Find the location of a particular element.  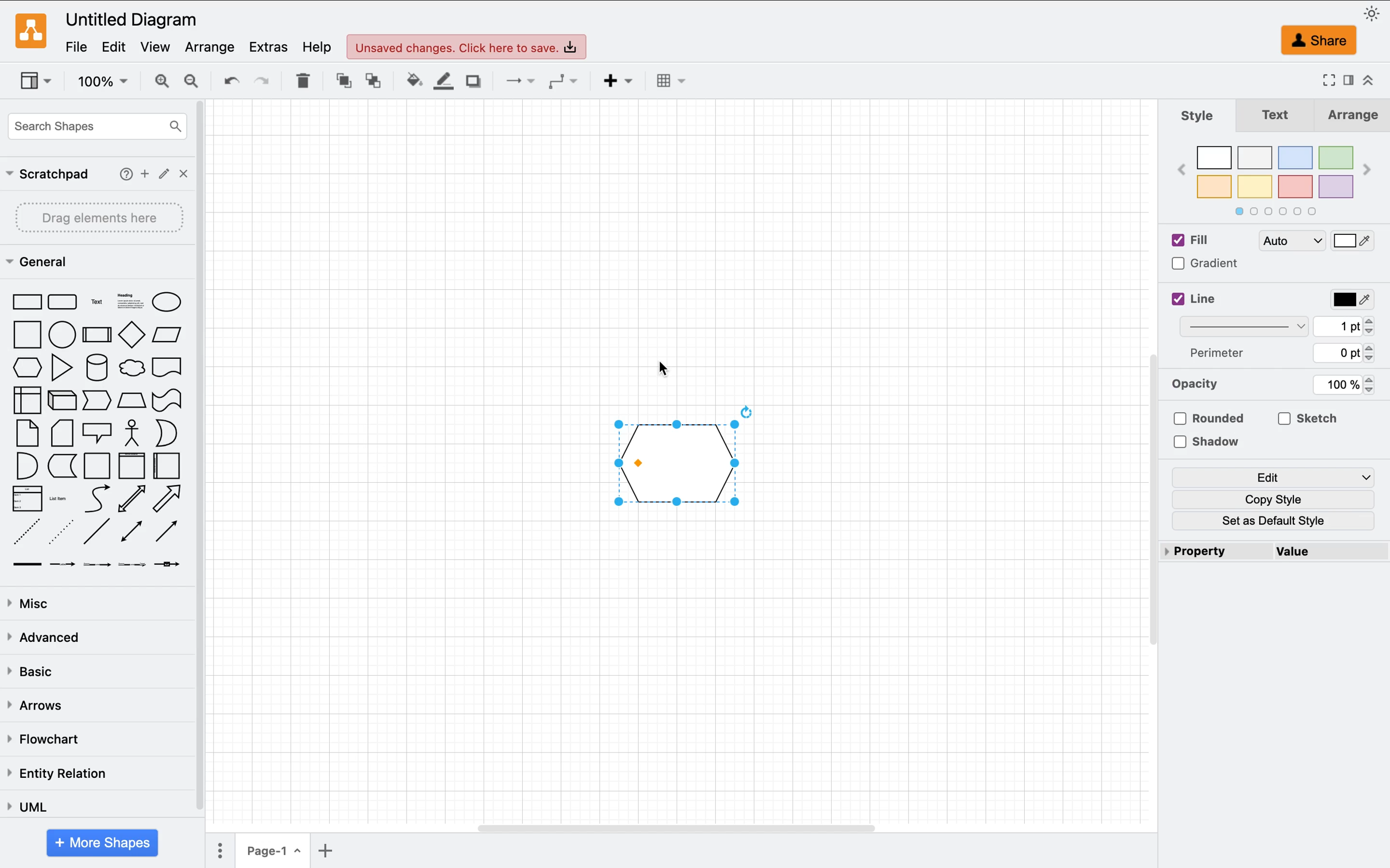

help is located at coordinates (122, 173).